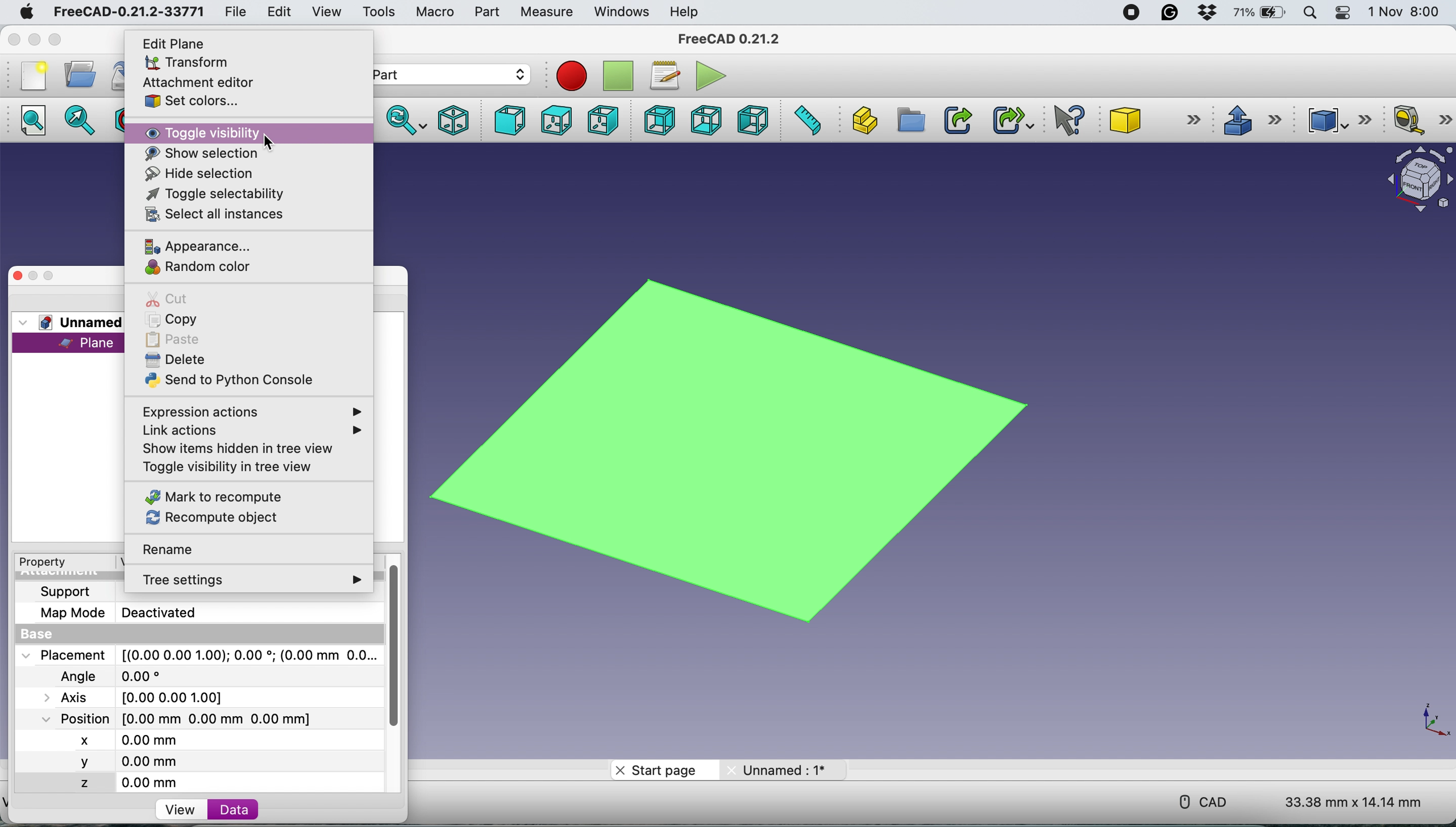  Describe the element at coordinates (39, 633) in the screenshot. I see `base` at that location.